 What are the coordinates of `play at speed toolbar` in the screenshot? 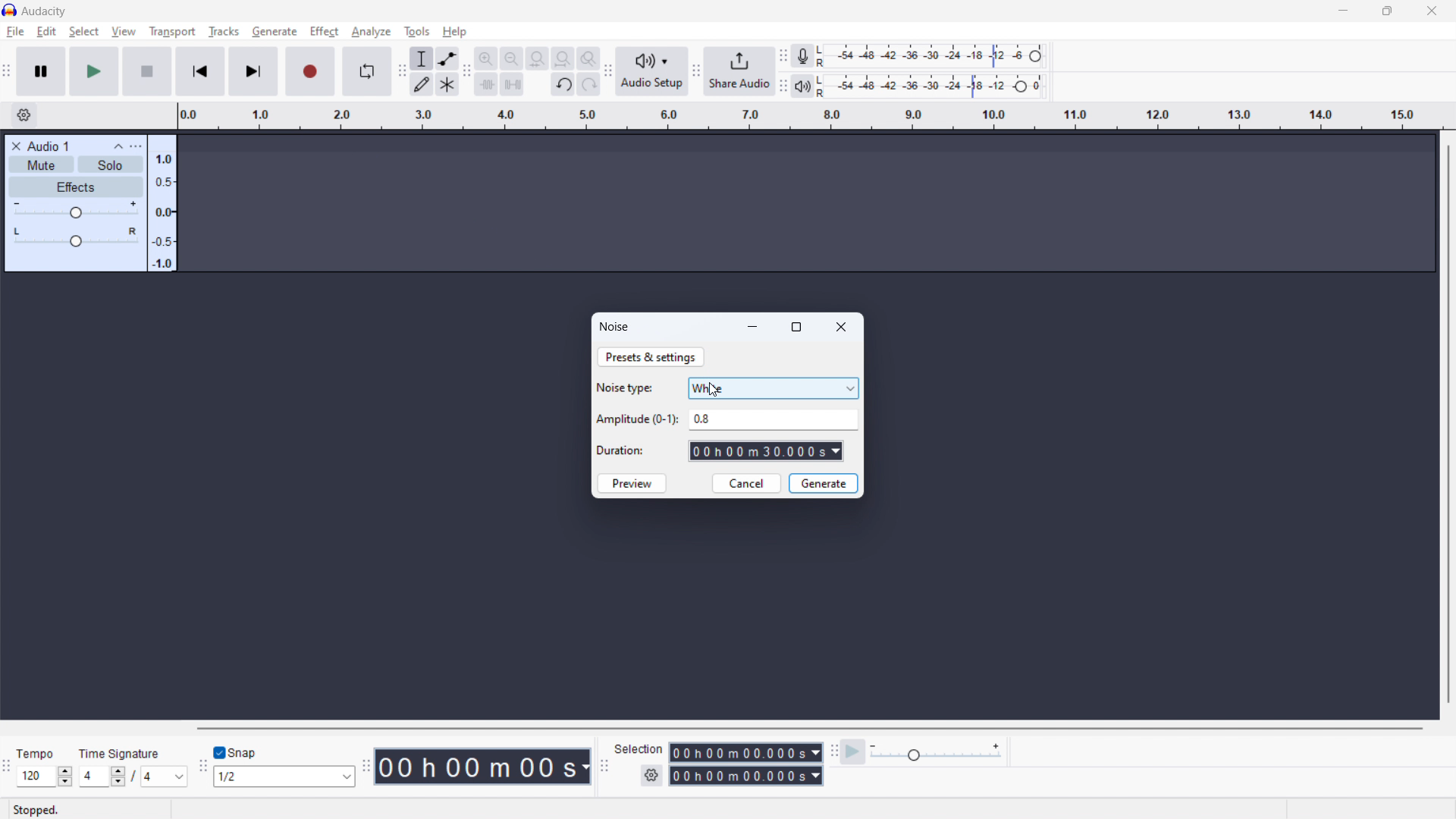 It's located at (833, 752).